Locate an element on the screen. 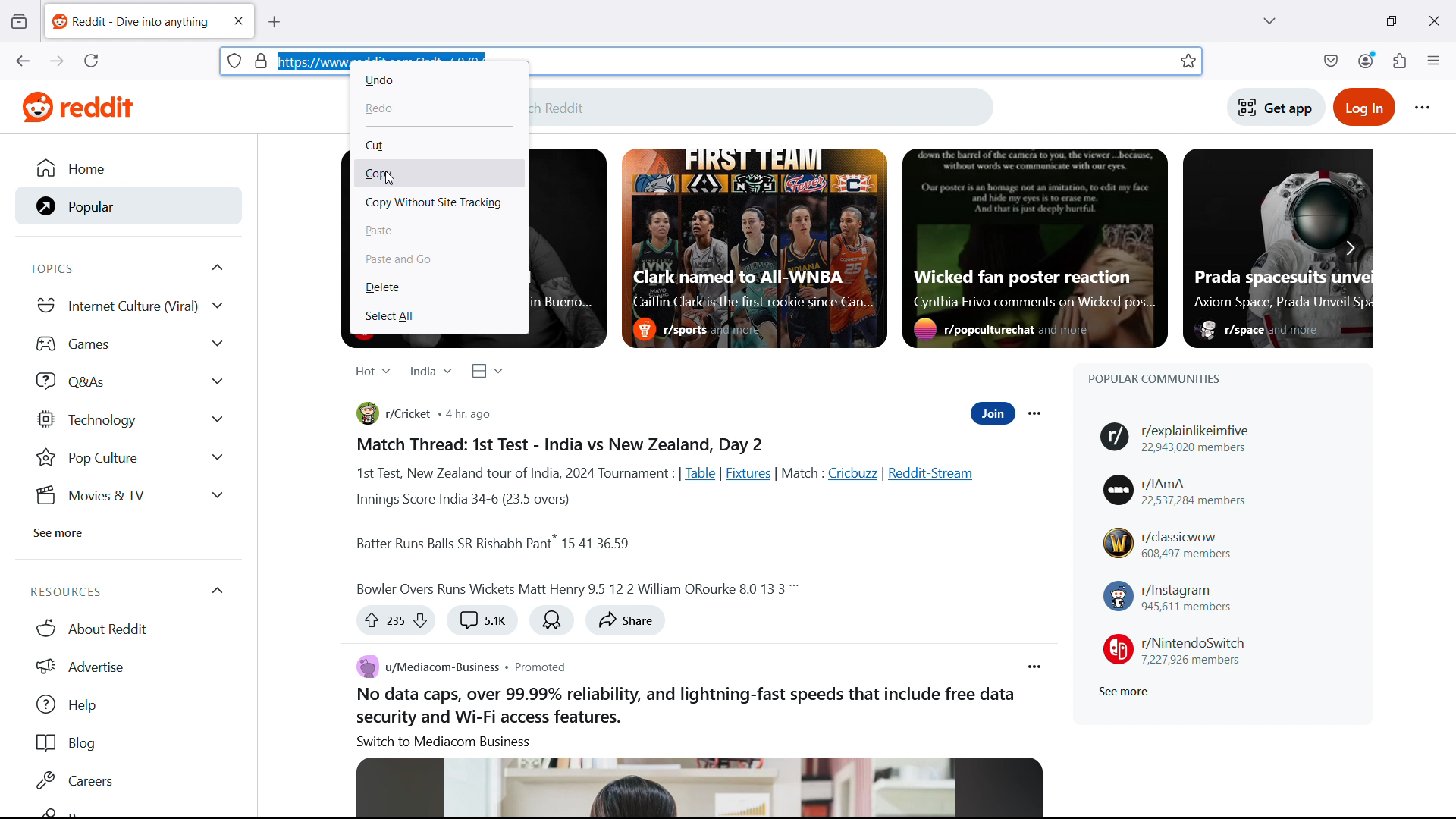 This screenshot has height=819, width=1456. Internet culture viral is located at coordinates (130, 304).